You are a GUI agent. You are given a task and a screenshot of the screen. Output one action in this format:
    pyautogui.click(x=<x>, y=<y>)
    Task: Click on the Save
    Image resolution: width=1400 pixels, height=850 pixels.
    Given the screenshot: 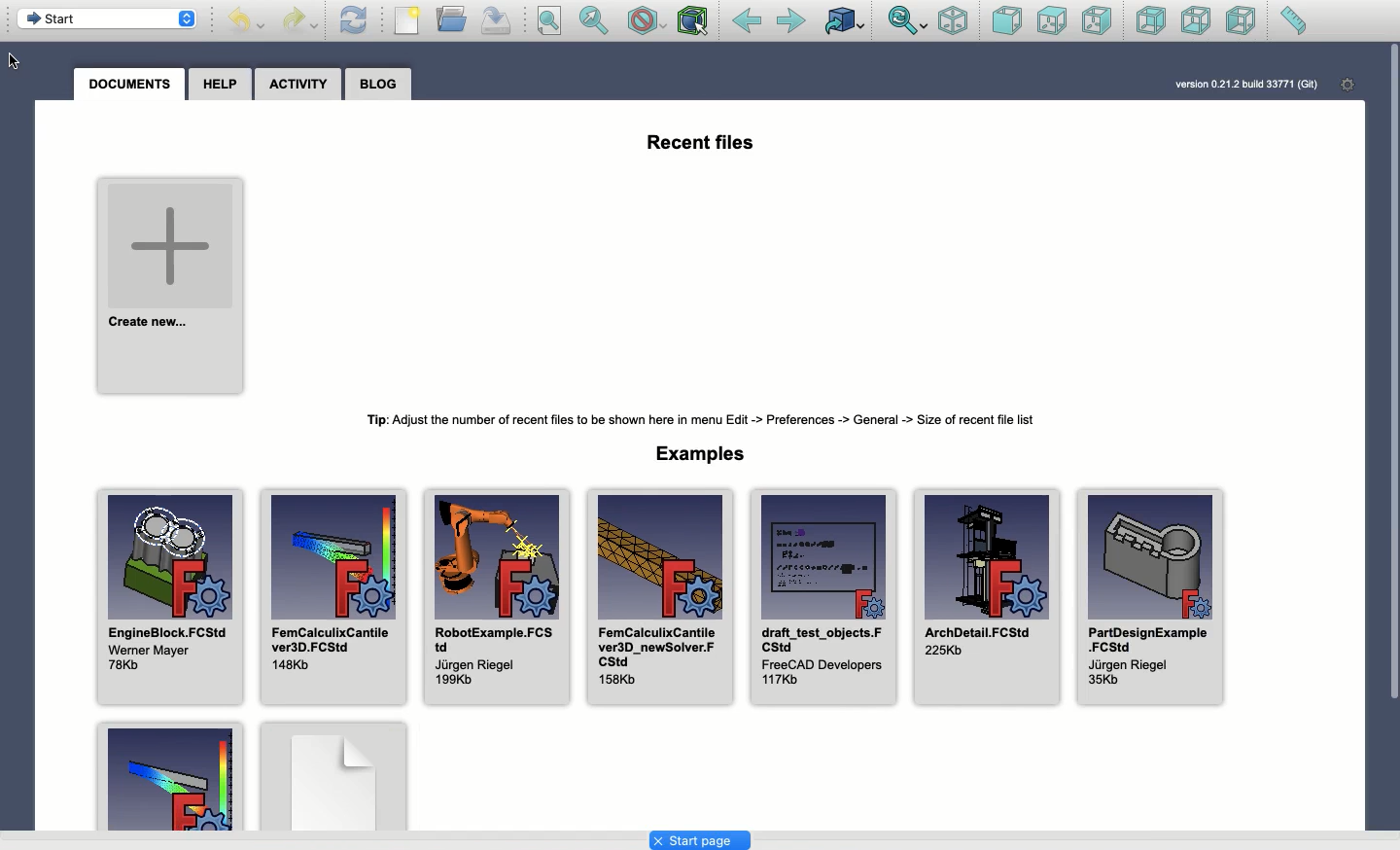 What is the action you would take?
    pyautogui.click(x=496, y=19)
    